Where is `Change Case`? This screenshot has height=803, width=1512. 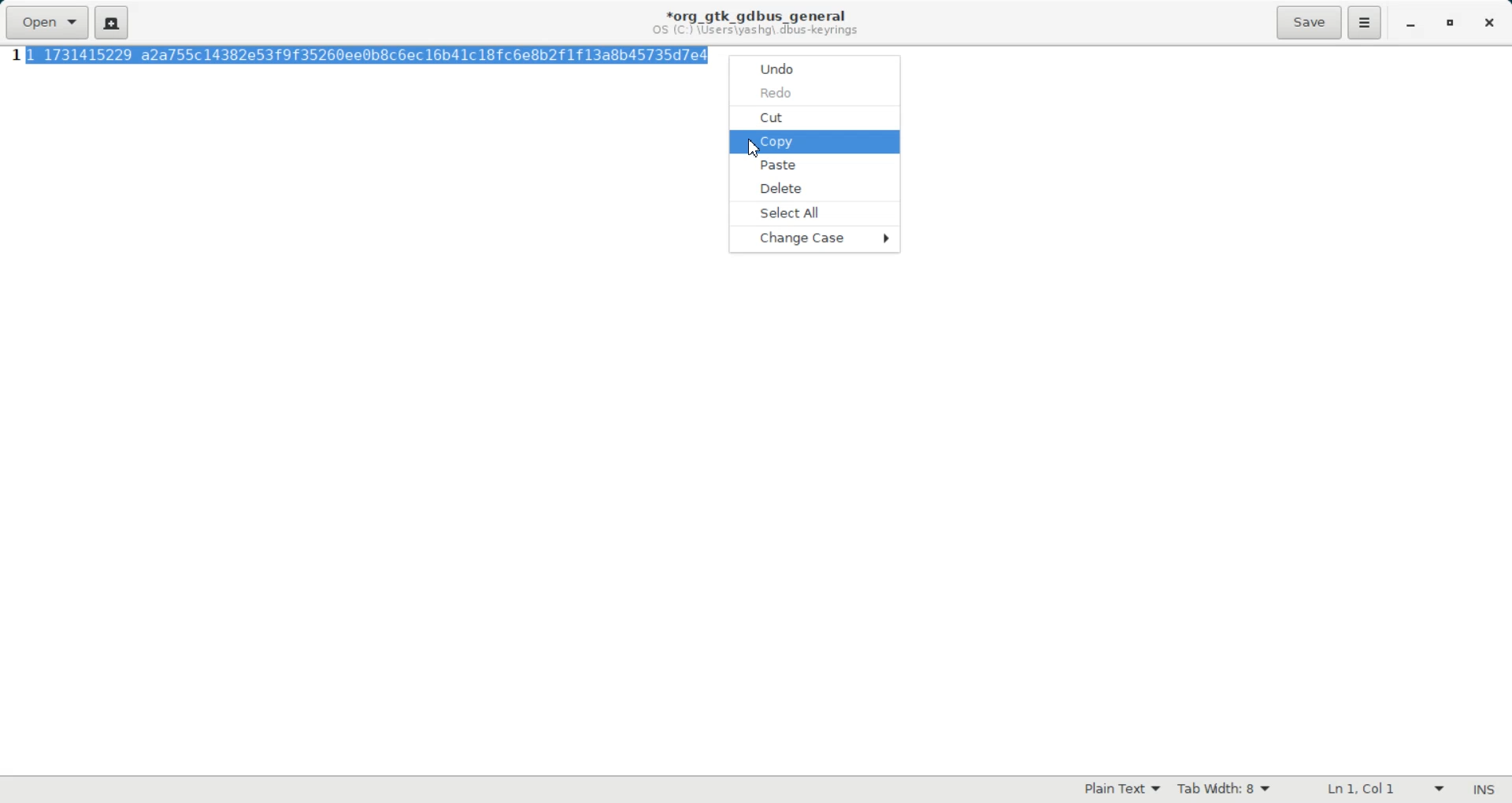
Change Case is located at coordinates (810, 242).